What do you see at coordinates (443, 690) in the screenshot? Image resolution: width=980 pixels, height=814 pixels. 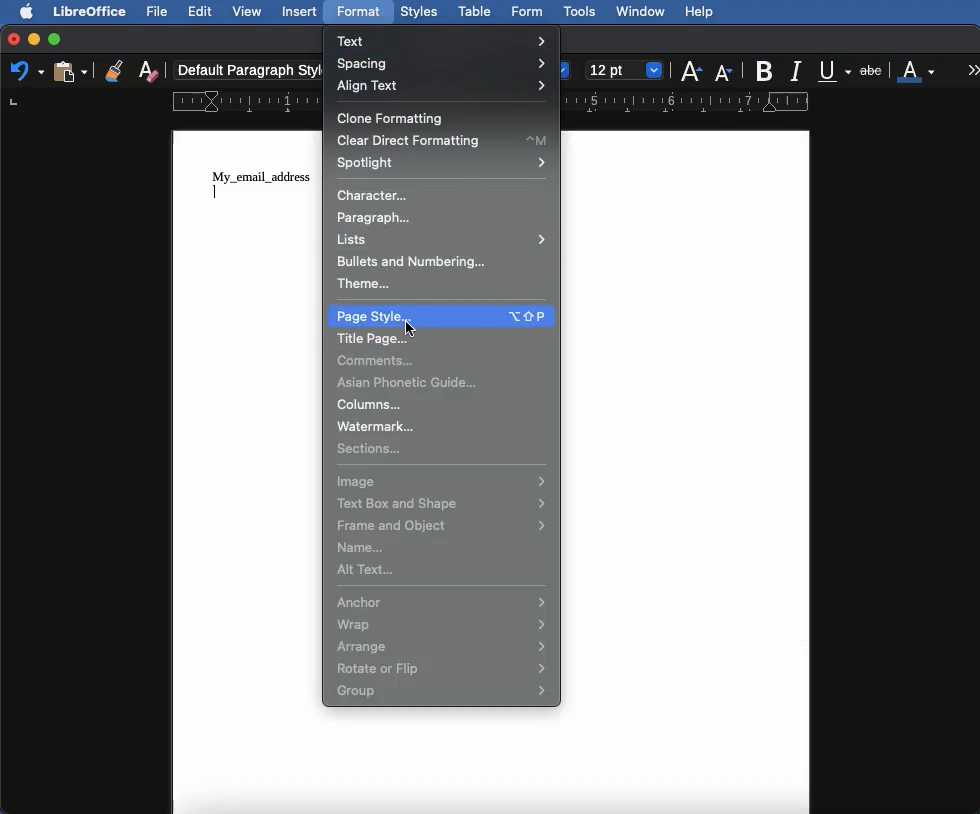 I see `Group` at bounding box center [443, 690].